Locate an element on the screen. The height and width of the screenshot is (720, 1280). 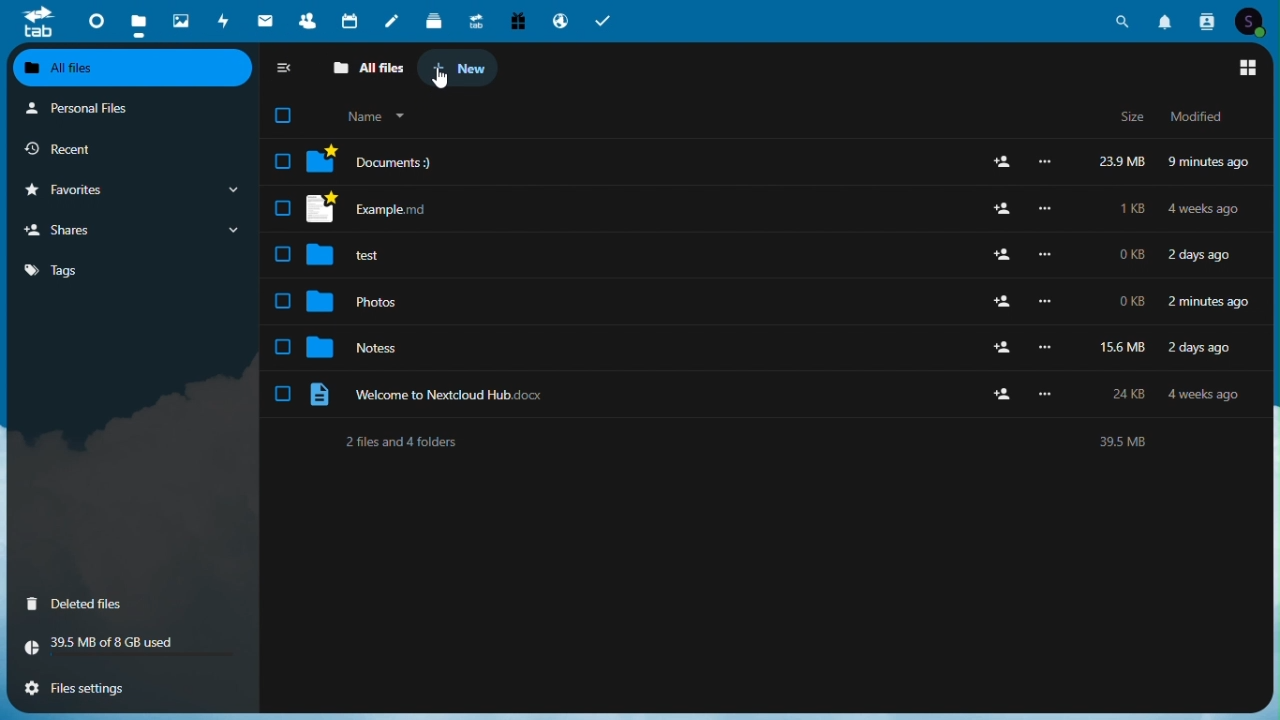
cursor is located at coordinates (441, 80).